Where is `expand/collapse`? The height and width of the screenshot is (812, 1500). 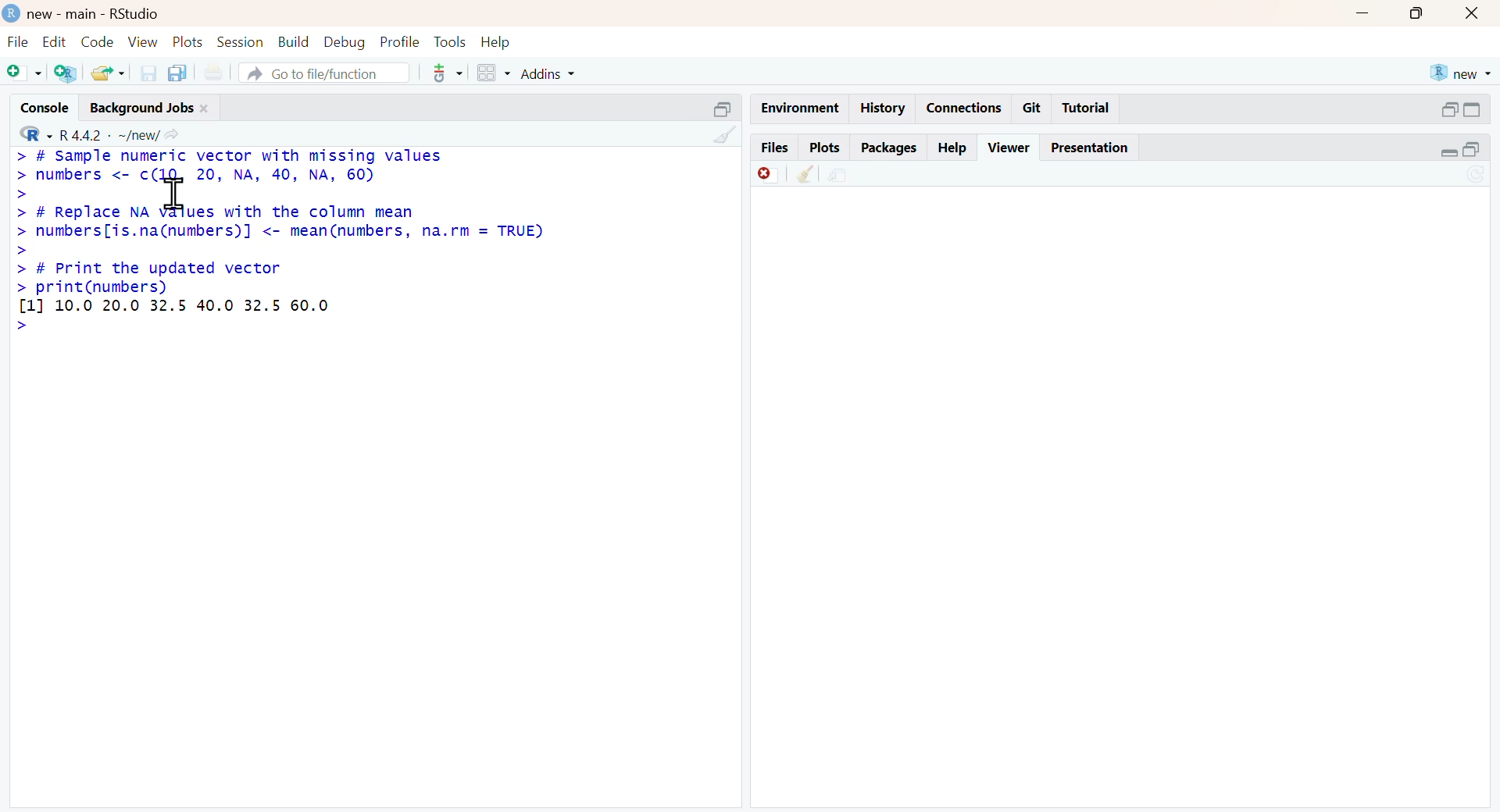 expand/collapse is located at coordinates (1448, 152).